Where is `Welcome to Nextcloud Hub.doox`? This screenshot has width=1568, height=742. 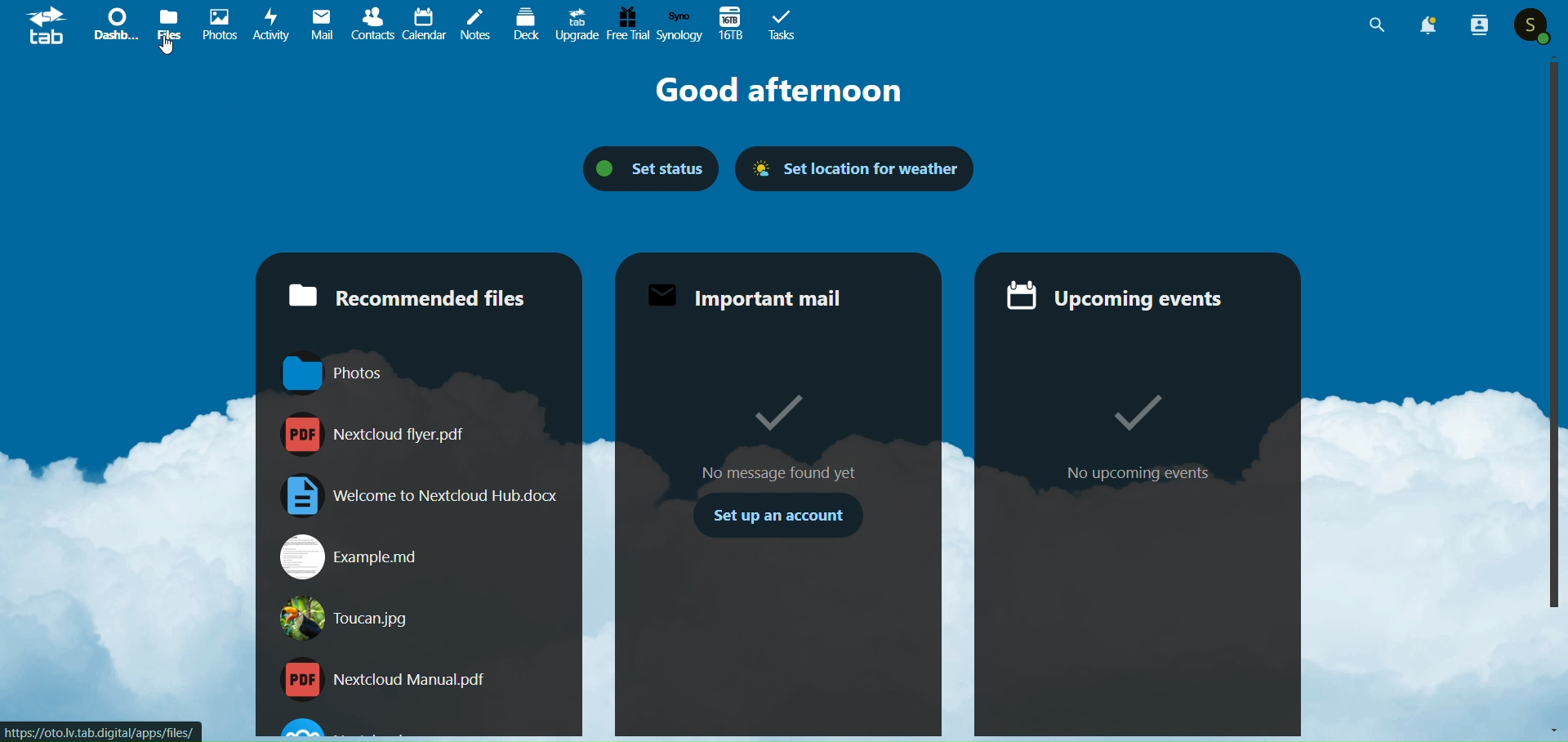 Welcome to Nextcloud Hub.doox is located at coordinates (419, 495).